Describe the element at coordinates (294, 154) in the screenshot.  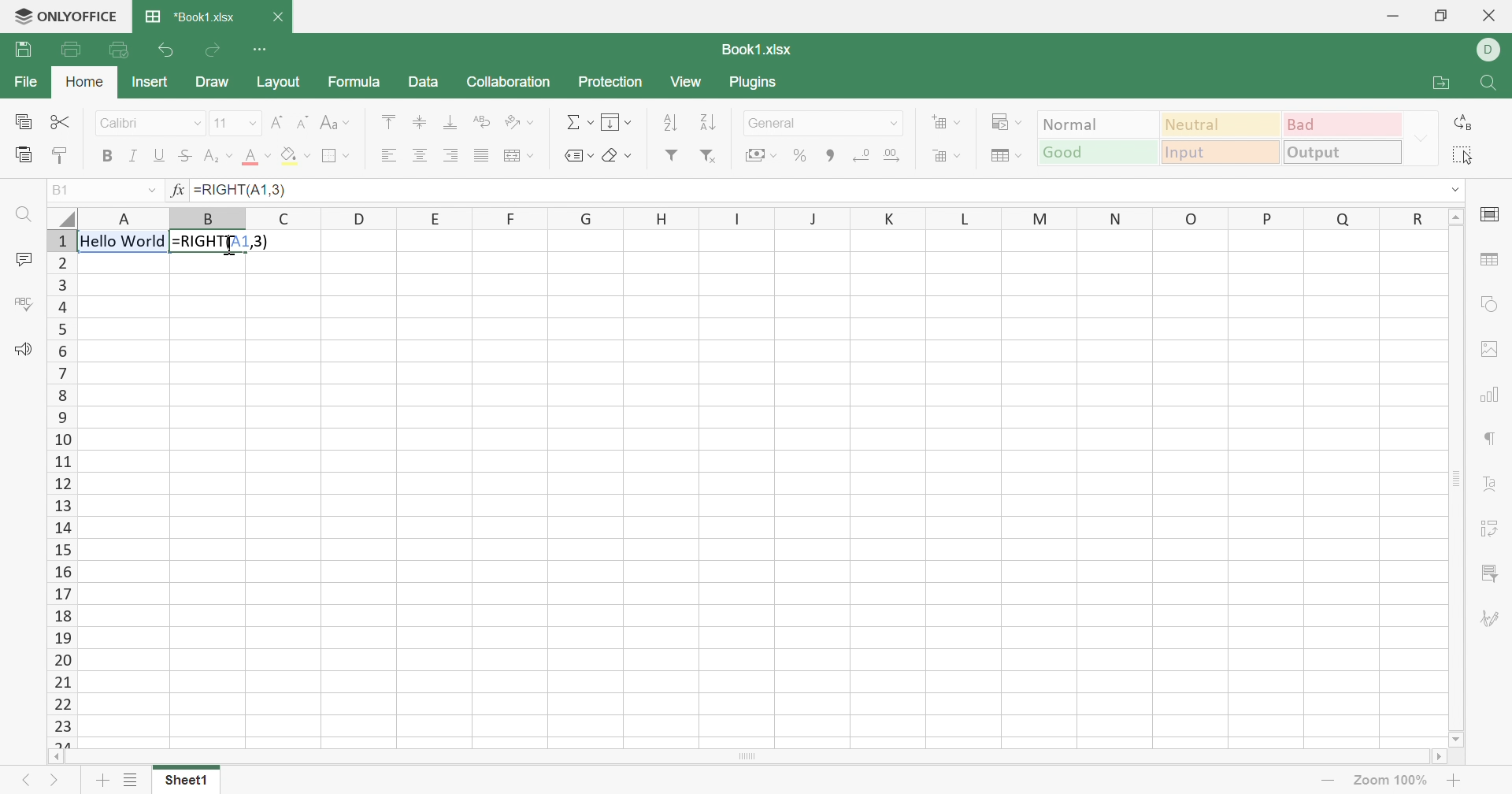
I see `Fill color` at that location.